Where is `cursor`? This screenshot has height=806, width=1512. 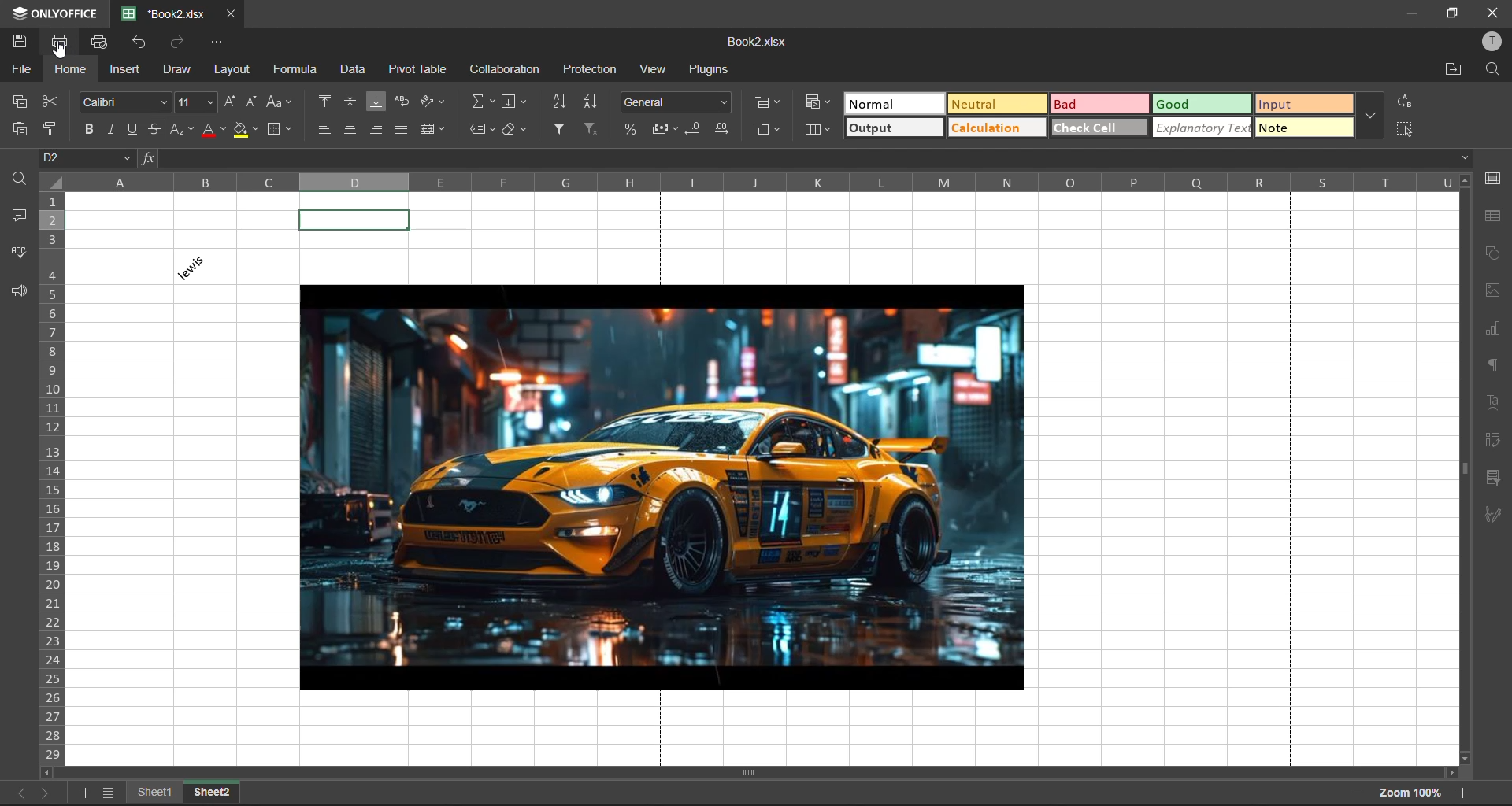 cursor is located at coordinates (60, 52).